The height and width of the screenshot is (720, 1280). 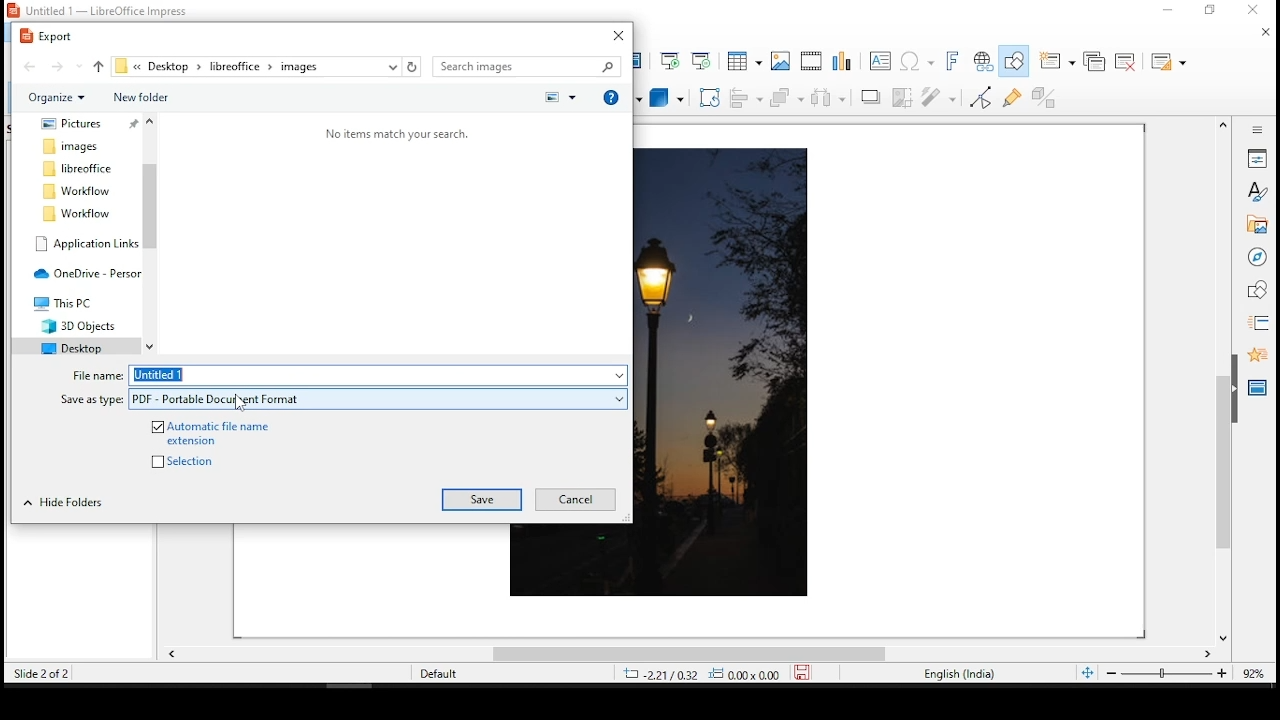 What do you see at coordinates (1261, 324) in the screenshot?
I see `slide transition` at bounding box center [1261, 324].